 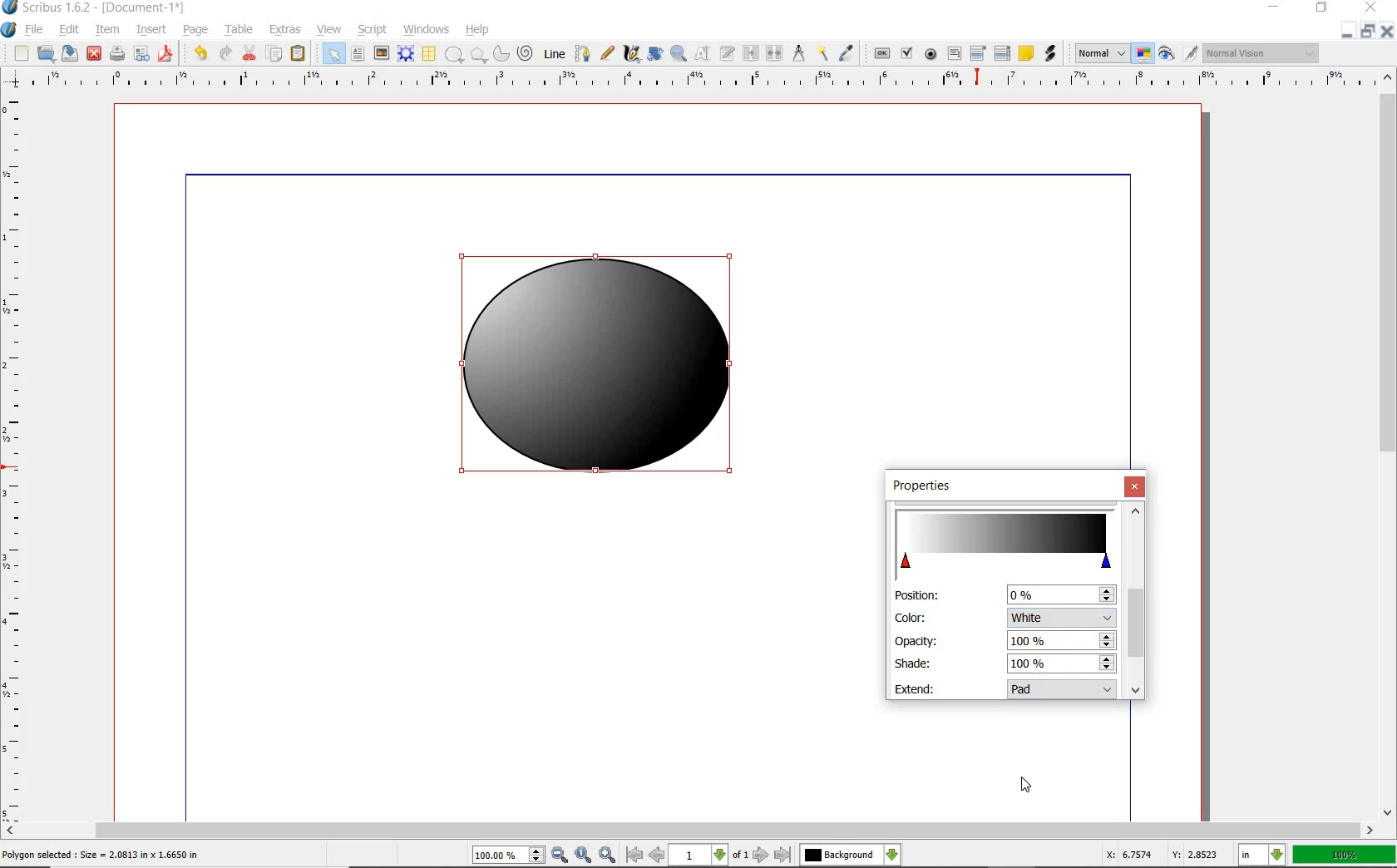 What do you see at coordinates (977, 52) in the screenshot?
I see `PDF COMBO BOX` at bounding box center [977, 52].